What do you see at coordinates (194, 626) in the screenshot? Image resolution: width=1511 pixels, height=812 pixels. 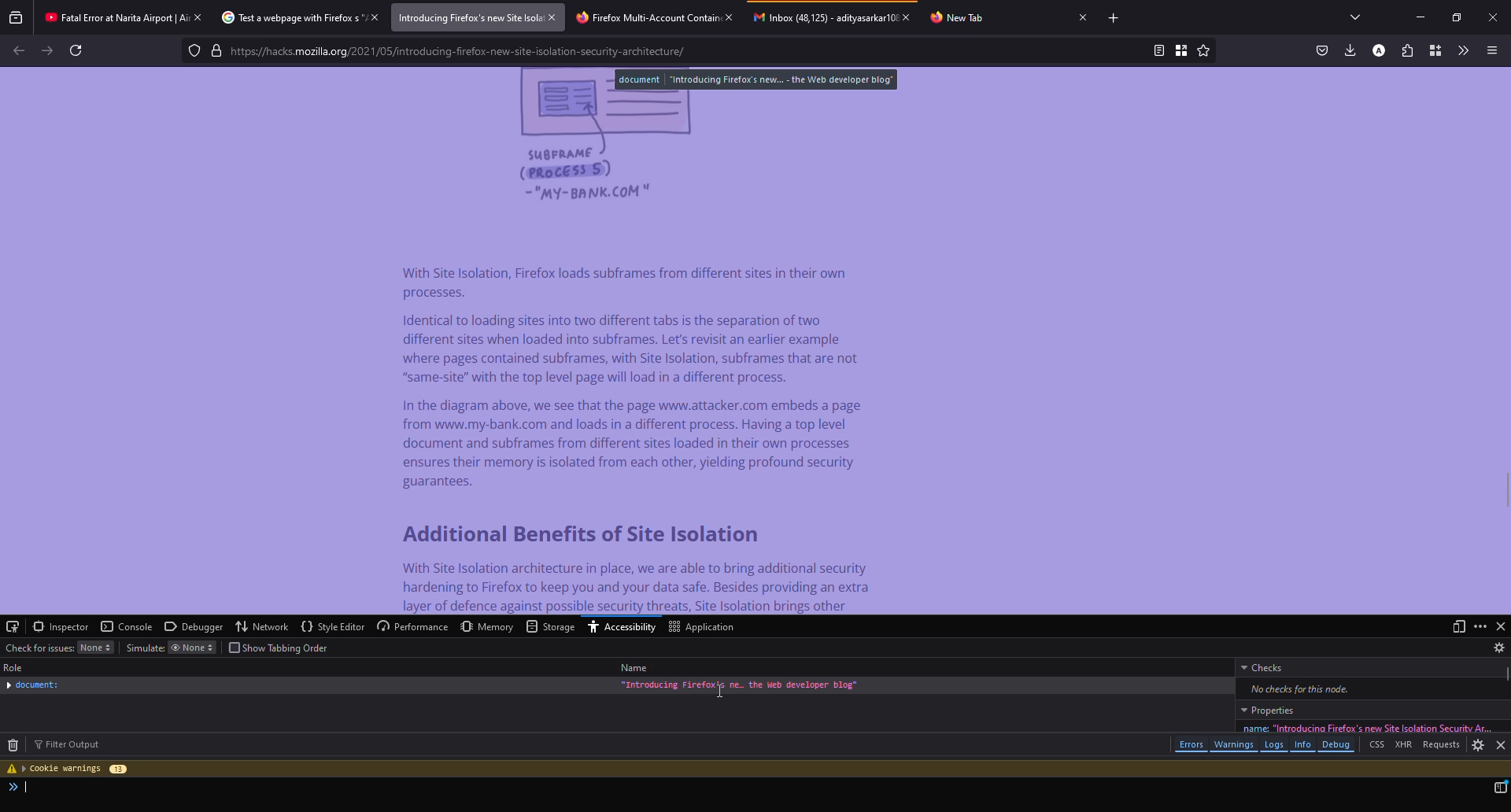 I see `debugger` at bounding box center [194, 626].